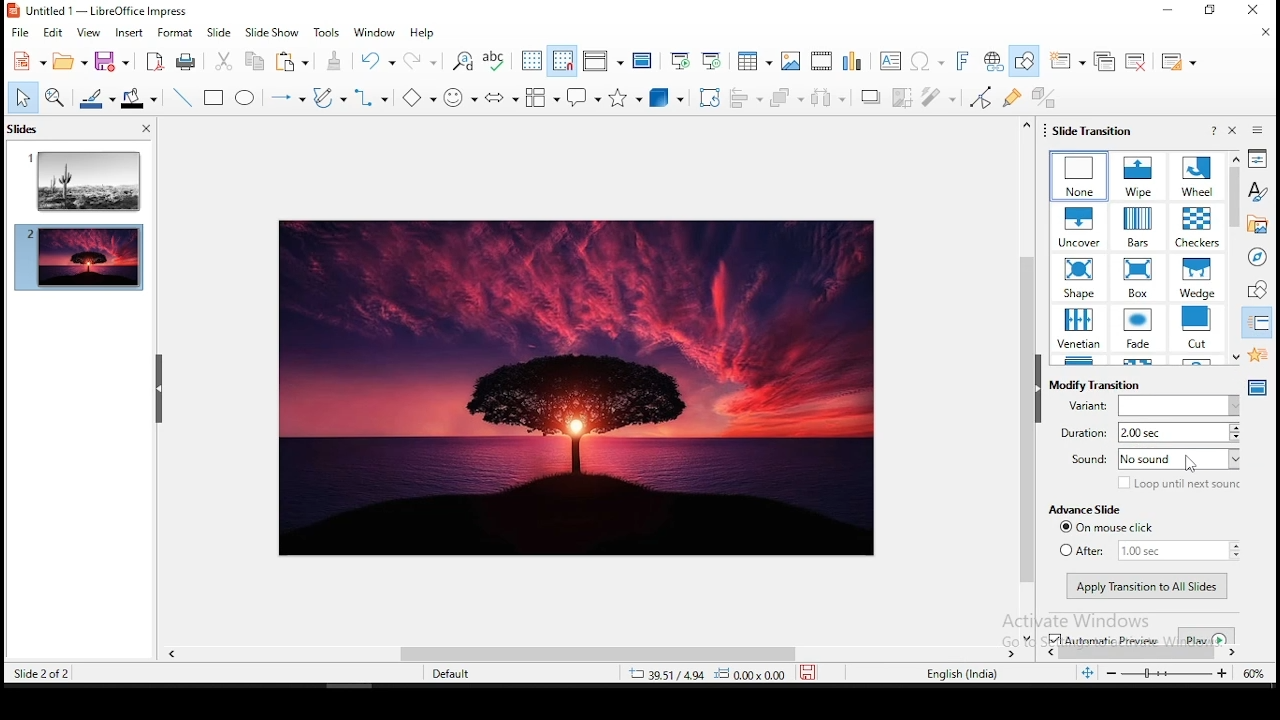 This screenshot has width=1280, height=720. I want to click on callout shapes, so click(539, 97).